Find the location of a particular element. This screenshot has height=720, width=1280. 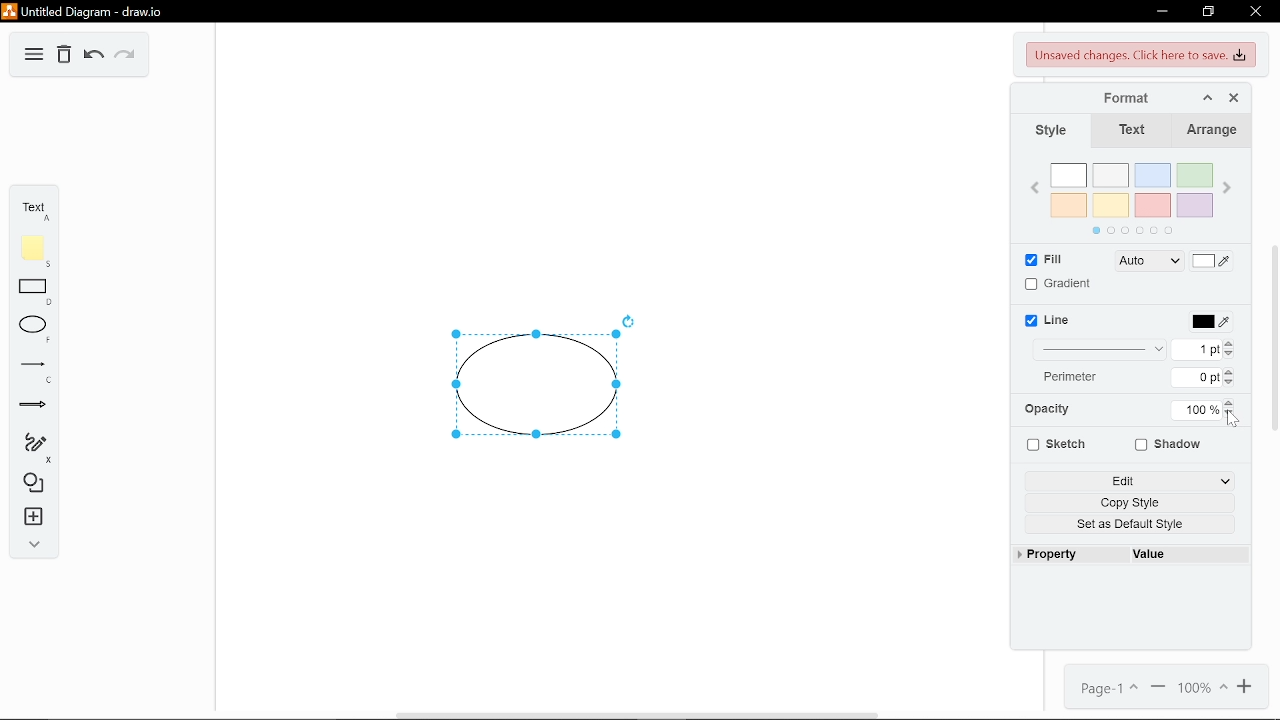

Expand collapse is located at coordinates (33, 545).